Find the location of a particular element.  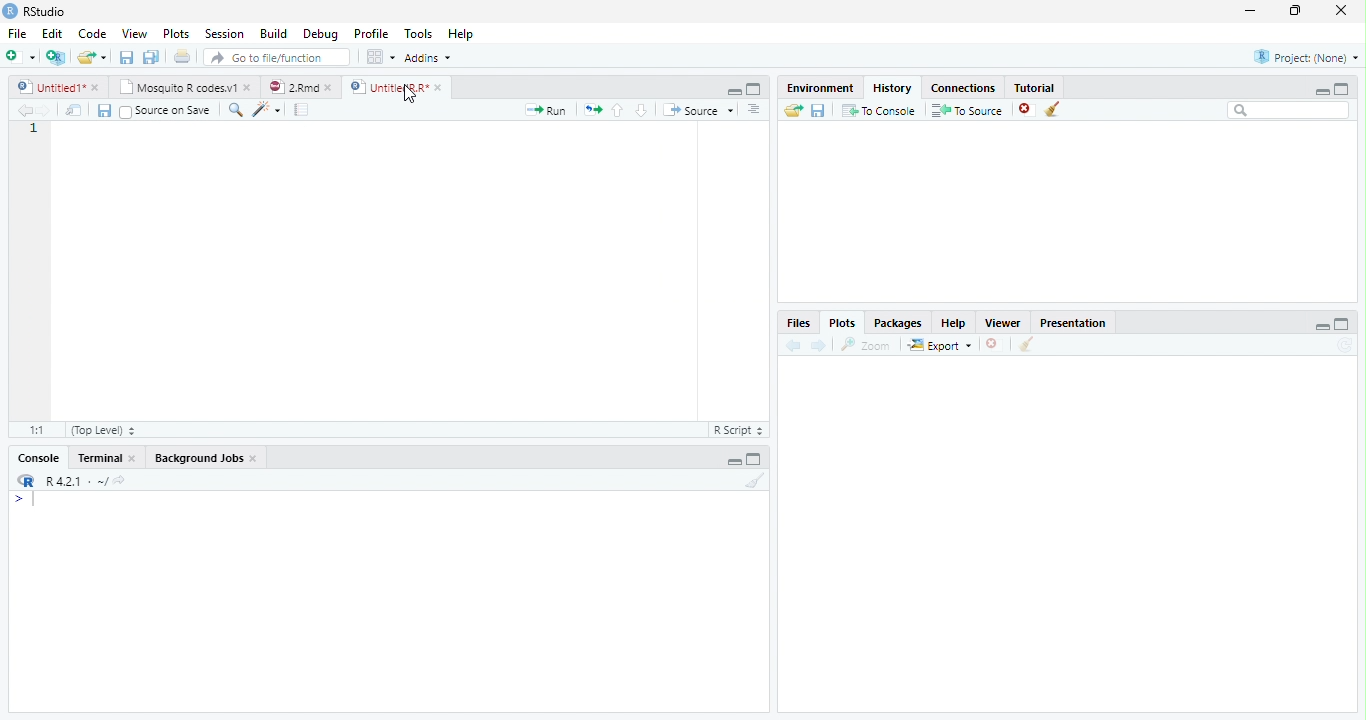

Run is located at coordinates (546, 111).